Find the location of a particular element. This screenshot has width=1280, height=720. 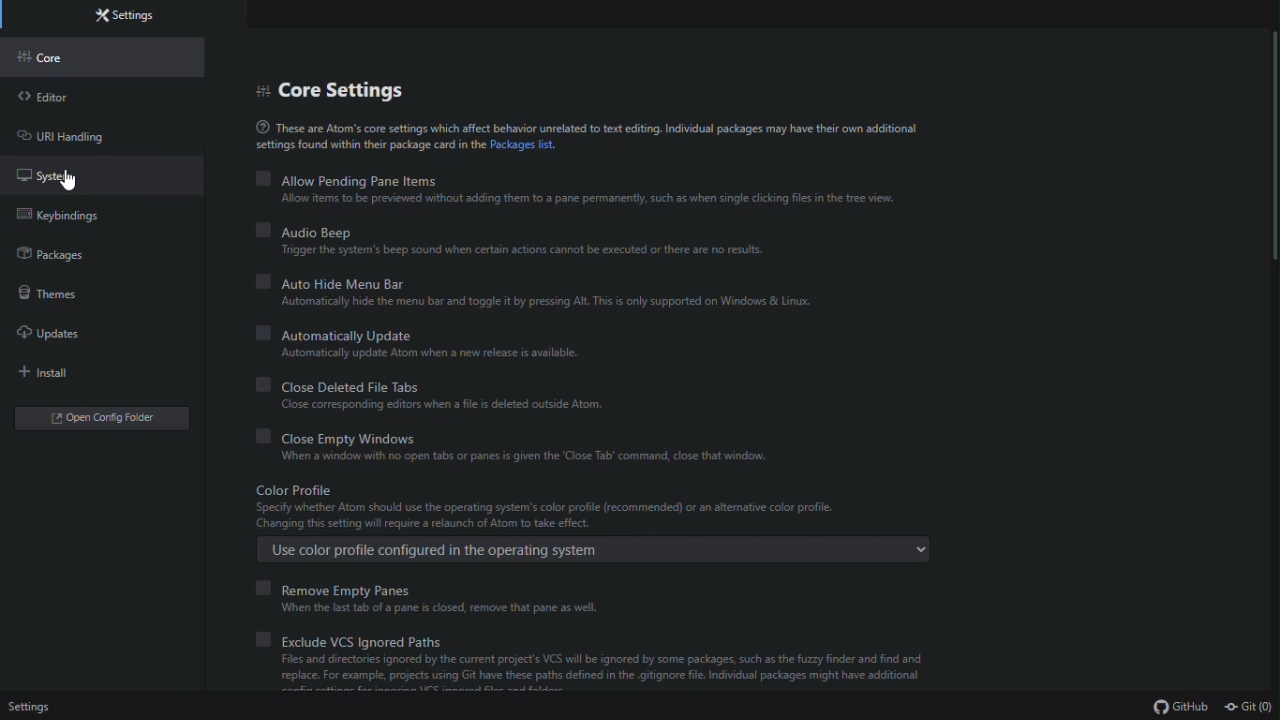

cursor is located at coordinates (72, 182).